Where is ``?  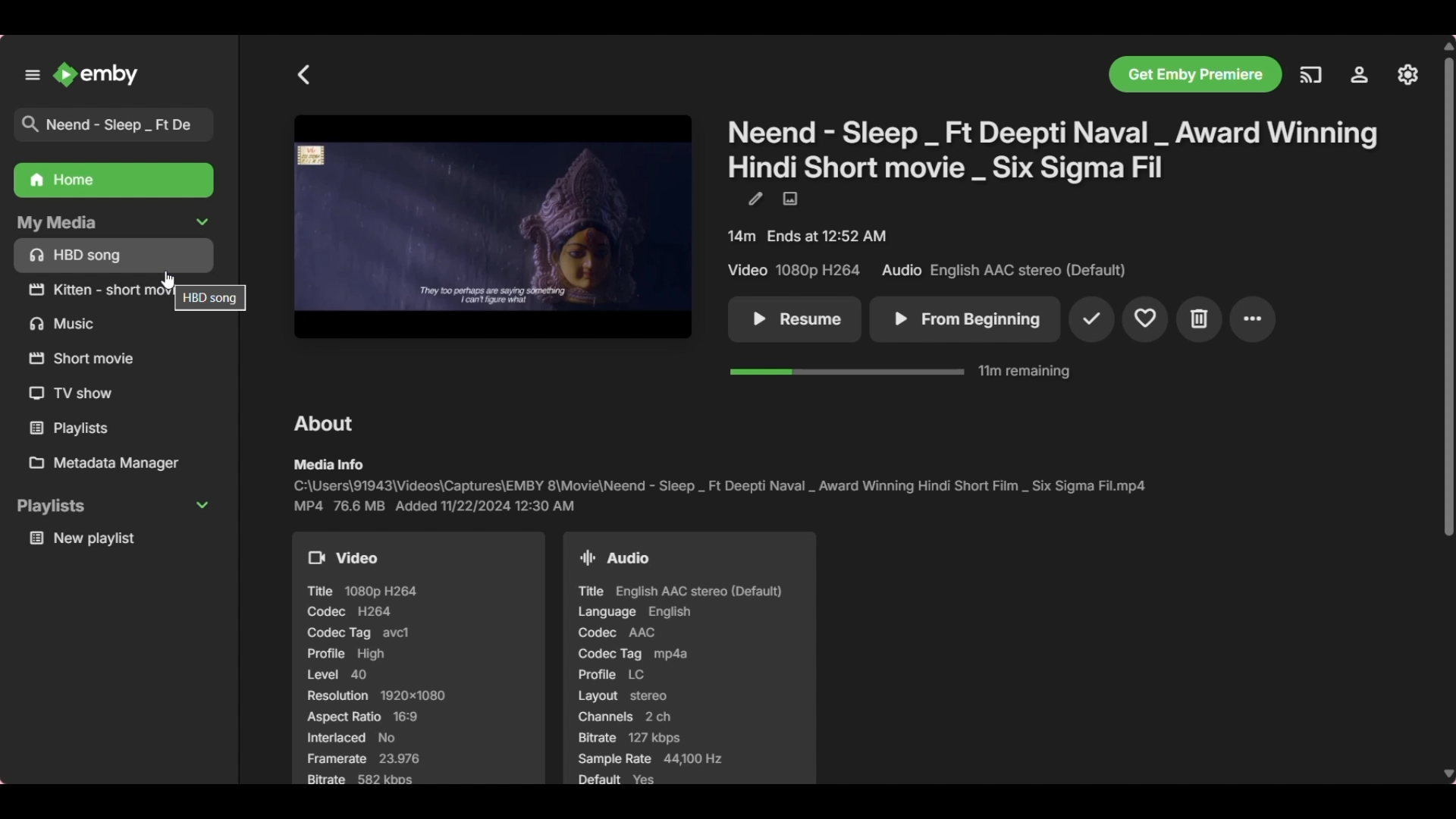
 is located at coordinates (90, 428).